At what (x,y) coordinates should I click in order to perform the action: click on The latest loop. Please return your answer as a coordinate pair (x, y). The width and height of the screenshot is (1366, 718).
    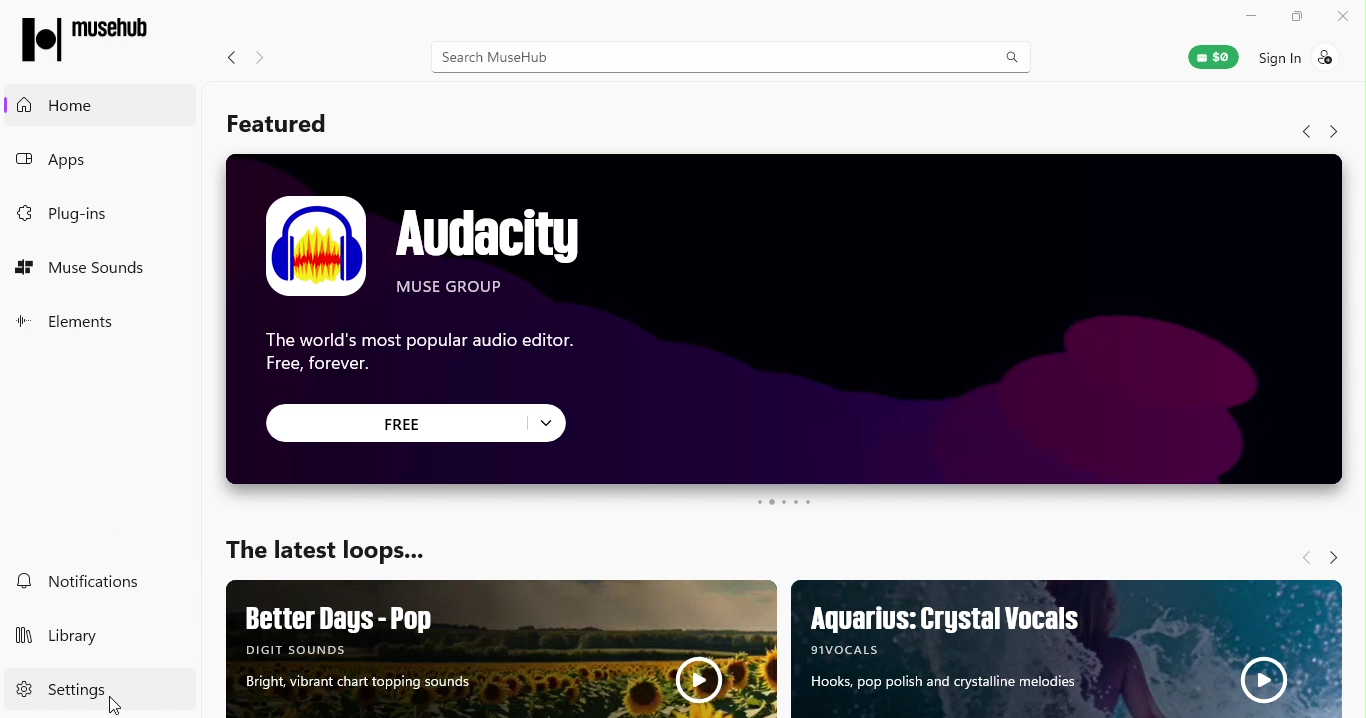
    Looking at the image, I should click on (340, 543).